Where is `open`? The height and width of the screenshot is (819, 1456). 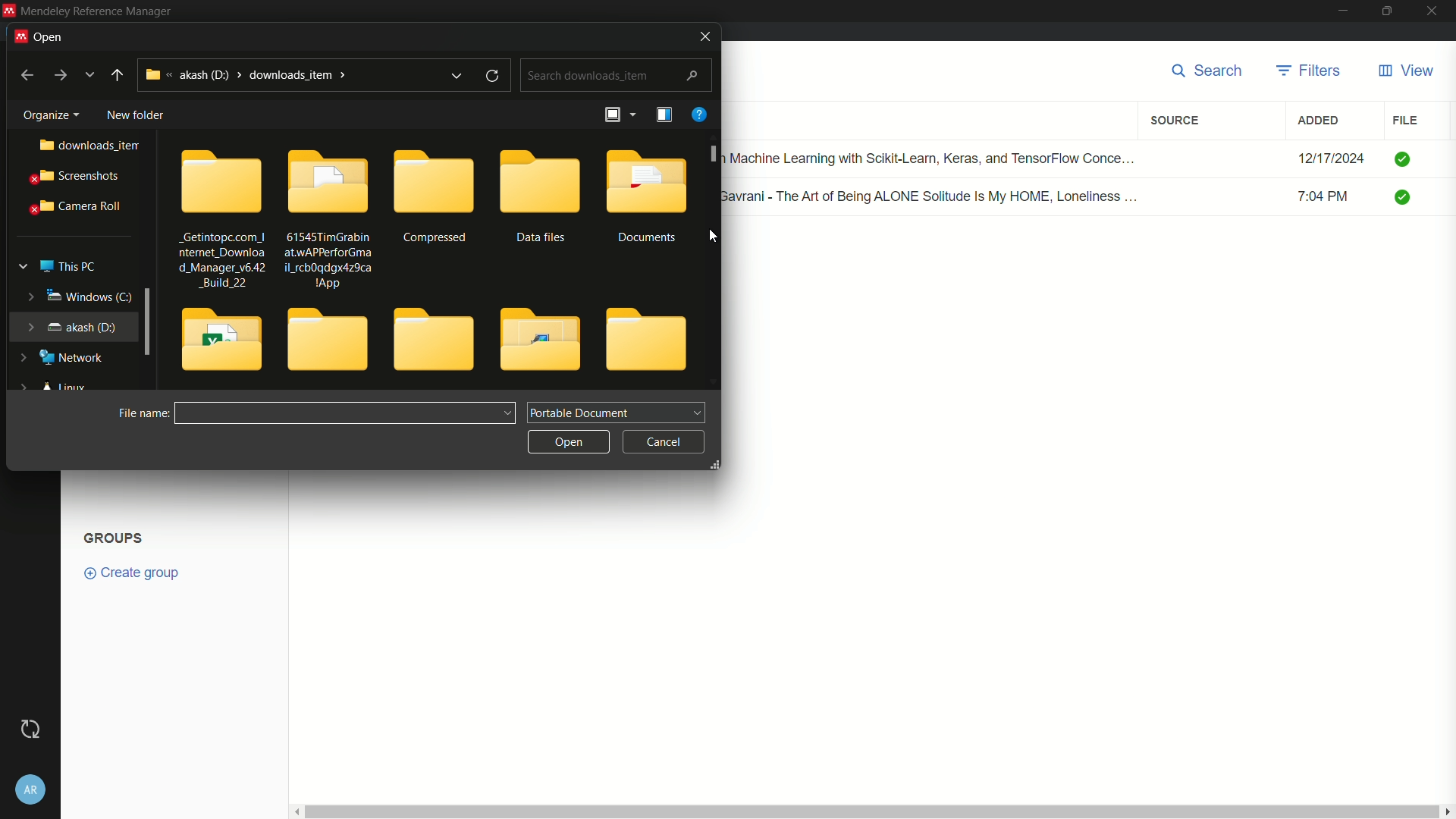
open is located at coordinates (566, 440).